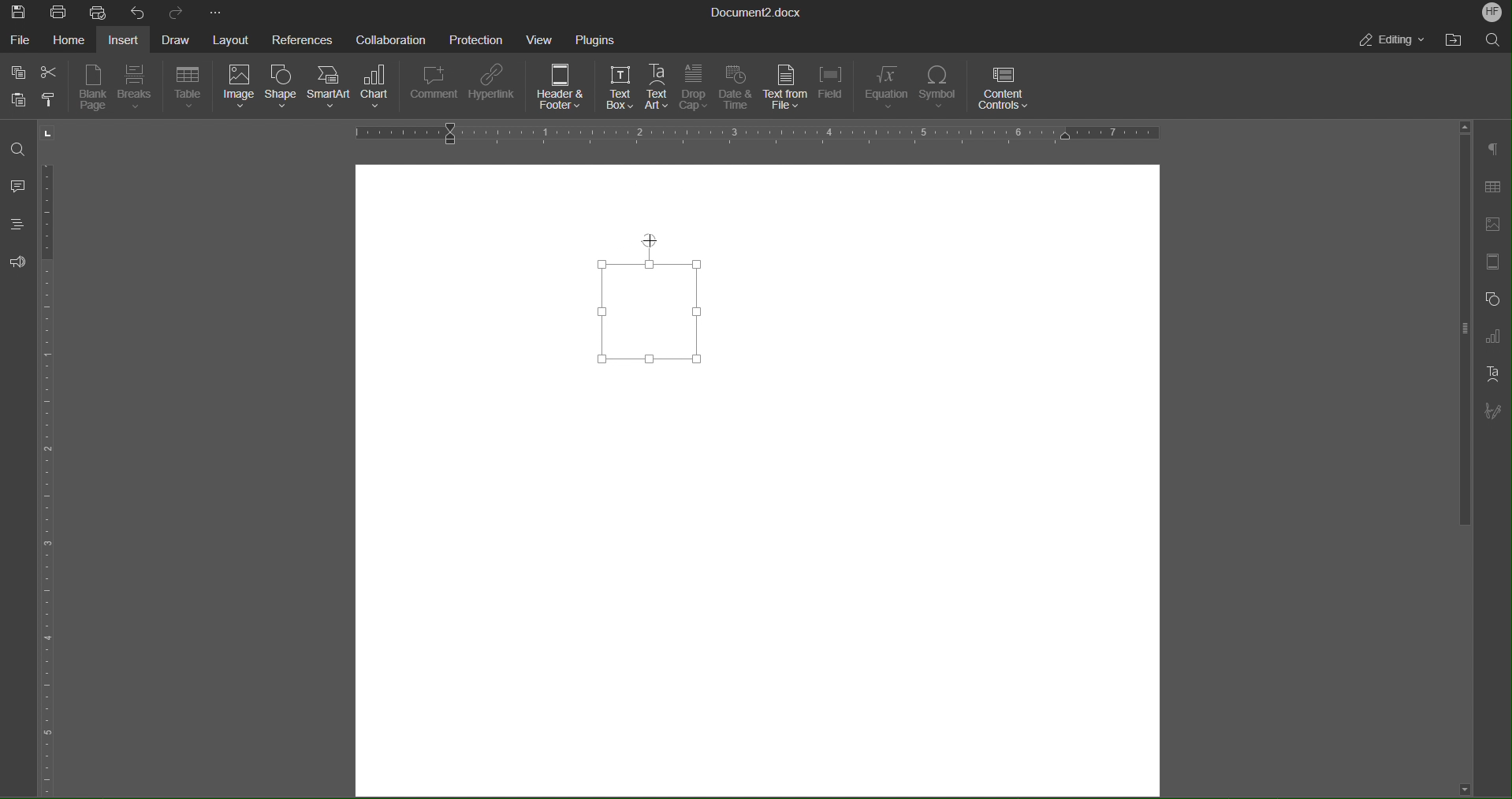 The width and height of the screenshot is (1512, 799). What do you see at coordinates (1492, 373) in the screenshot?
I see `Text Art` at bounding box center [1492, 373].